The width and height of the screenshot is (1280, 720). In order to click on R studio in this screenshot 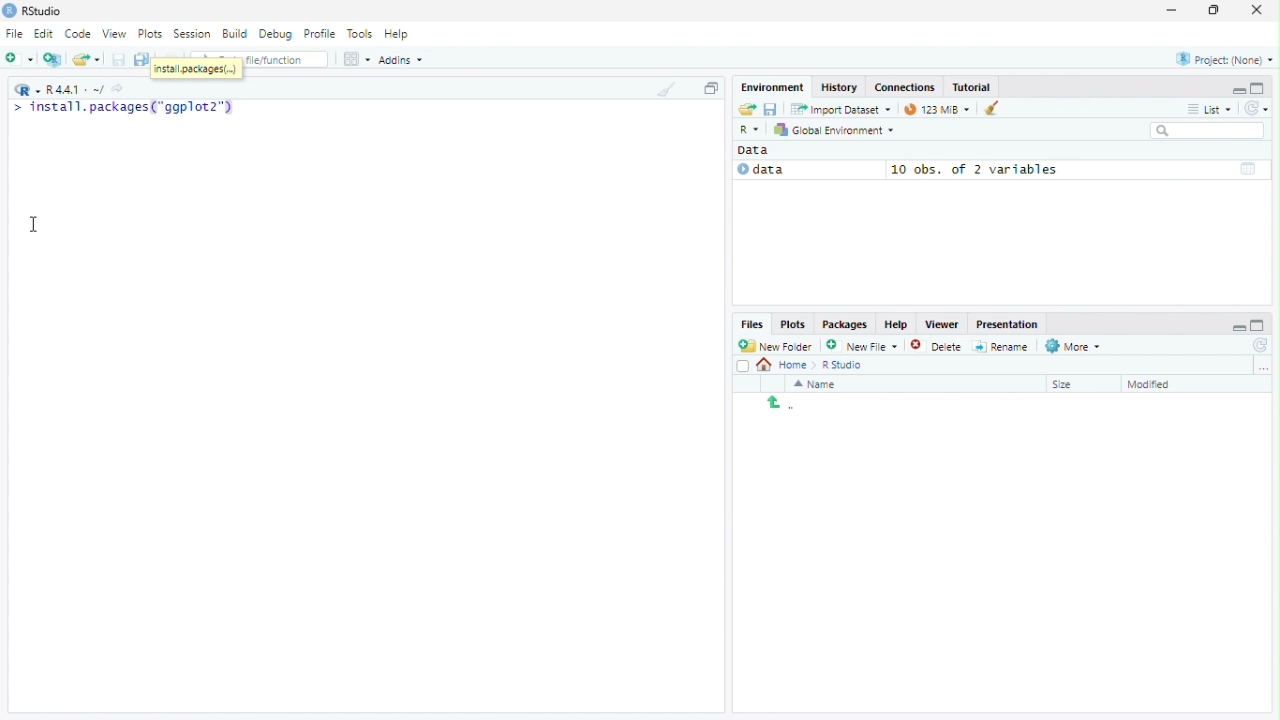, I will do `click(842, 365)`.